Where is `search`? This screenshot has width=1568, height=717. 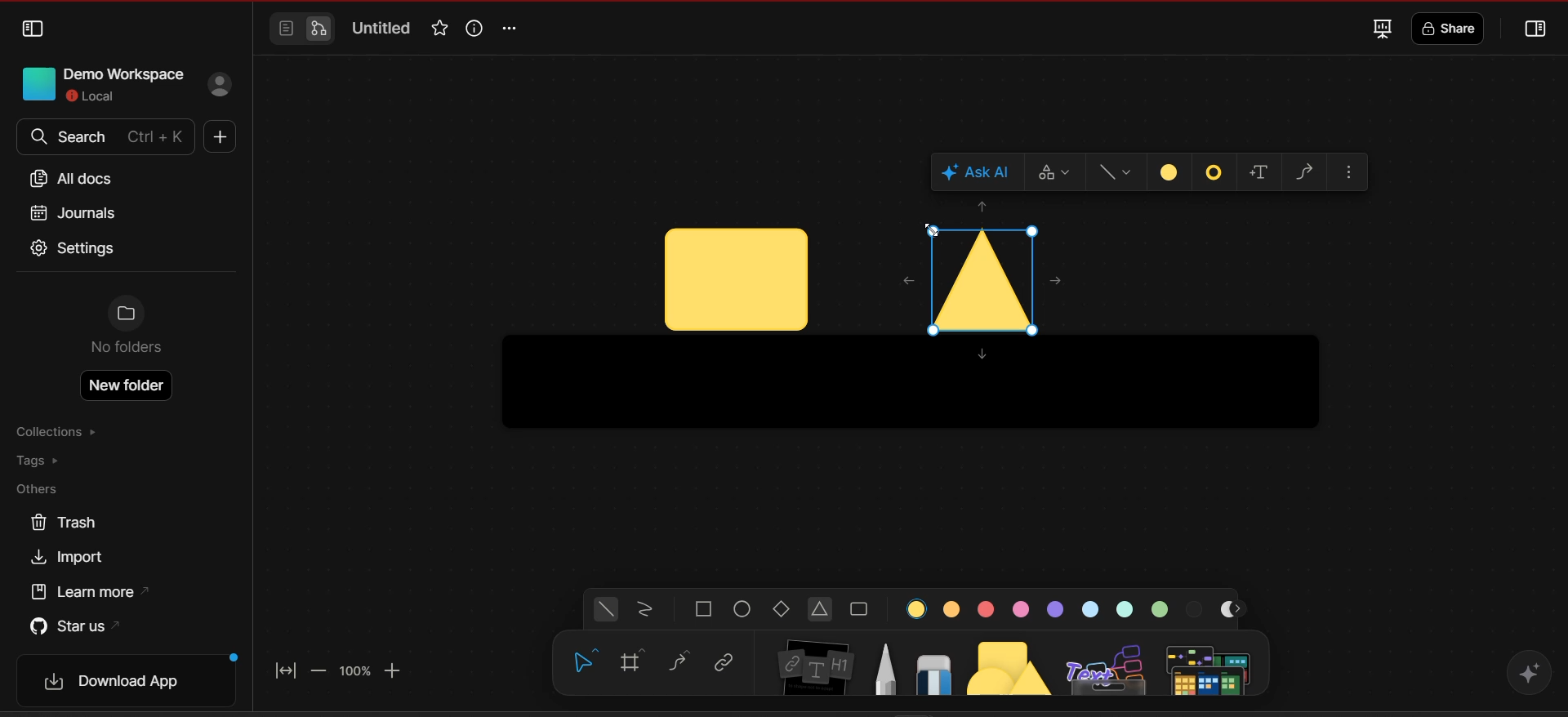 search is located at coordinates (103, 137).